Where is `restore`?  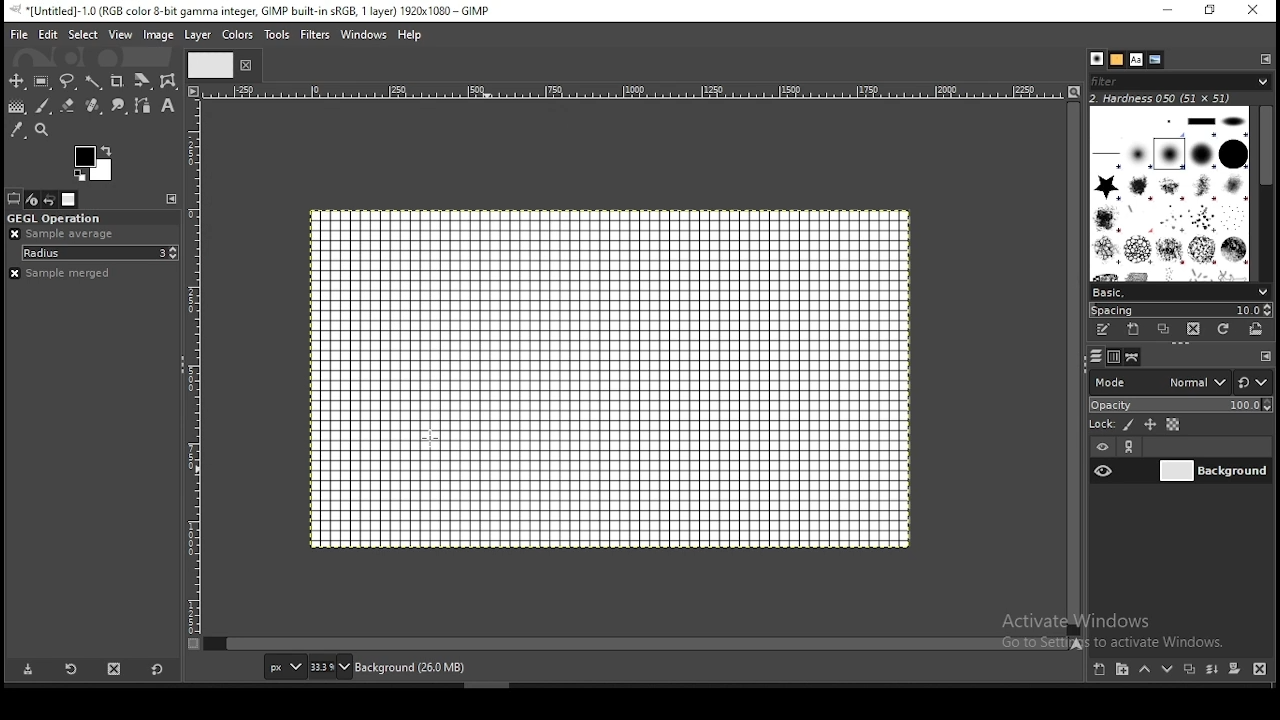
restore is located at coordinates (1213, 10).